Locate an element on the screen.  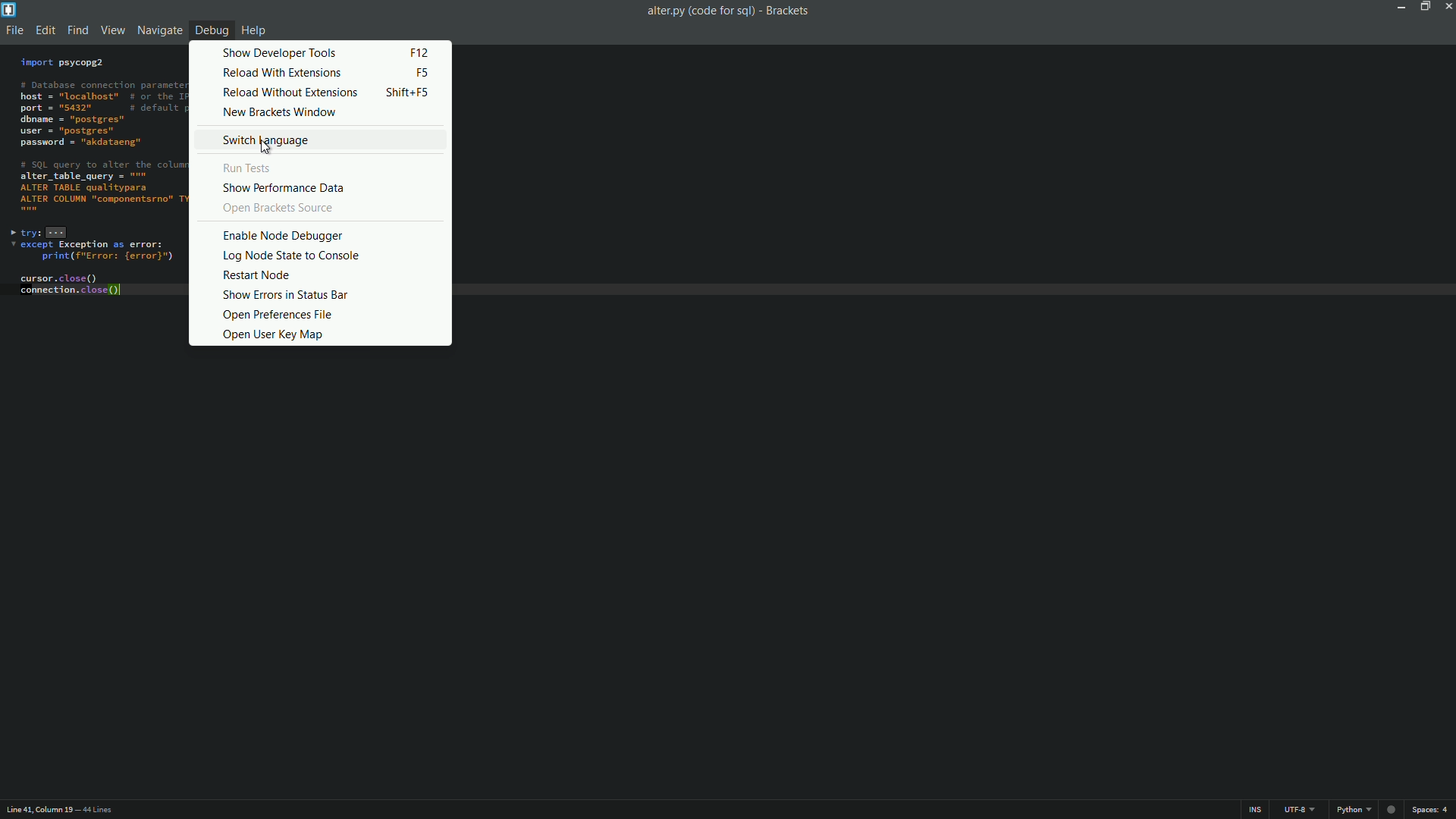
maximize is located at coordinates (1423, 8).